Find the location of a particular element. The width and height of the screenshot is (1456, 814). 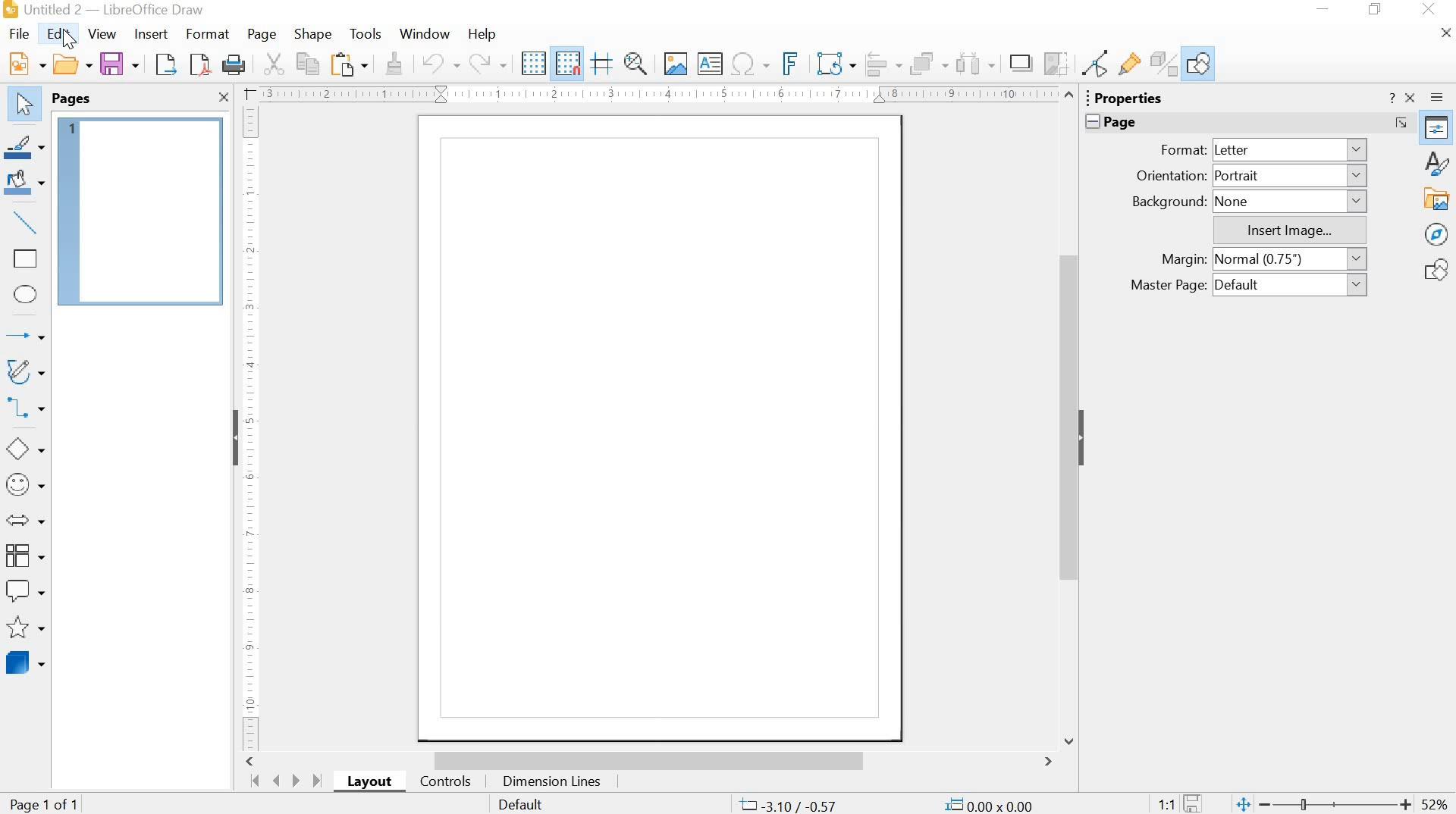

Cut is located at coordinates (272, 64).